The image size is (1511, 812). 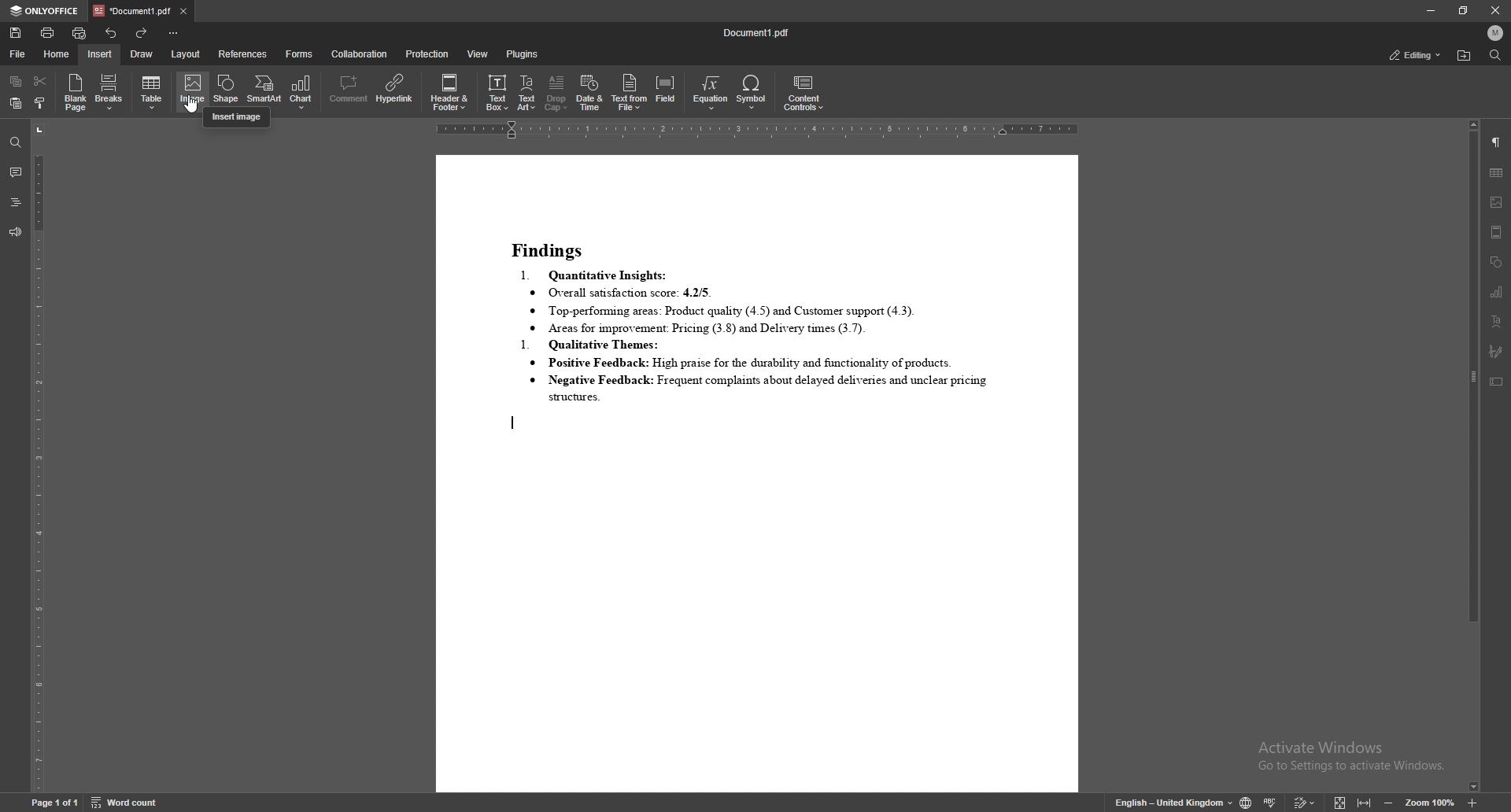 What do you see at coordinates (711, 93) in the screenshot?
I see `equation` at bounding box center [711, 93].